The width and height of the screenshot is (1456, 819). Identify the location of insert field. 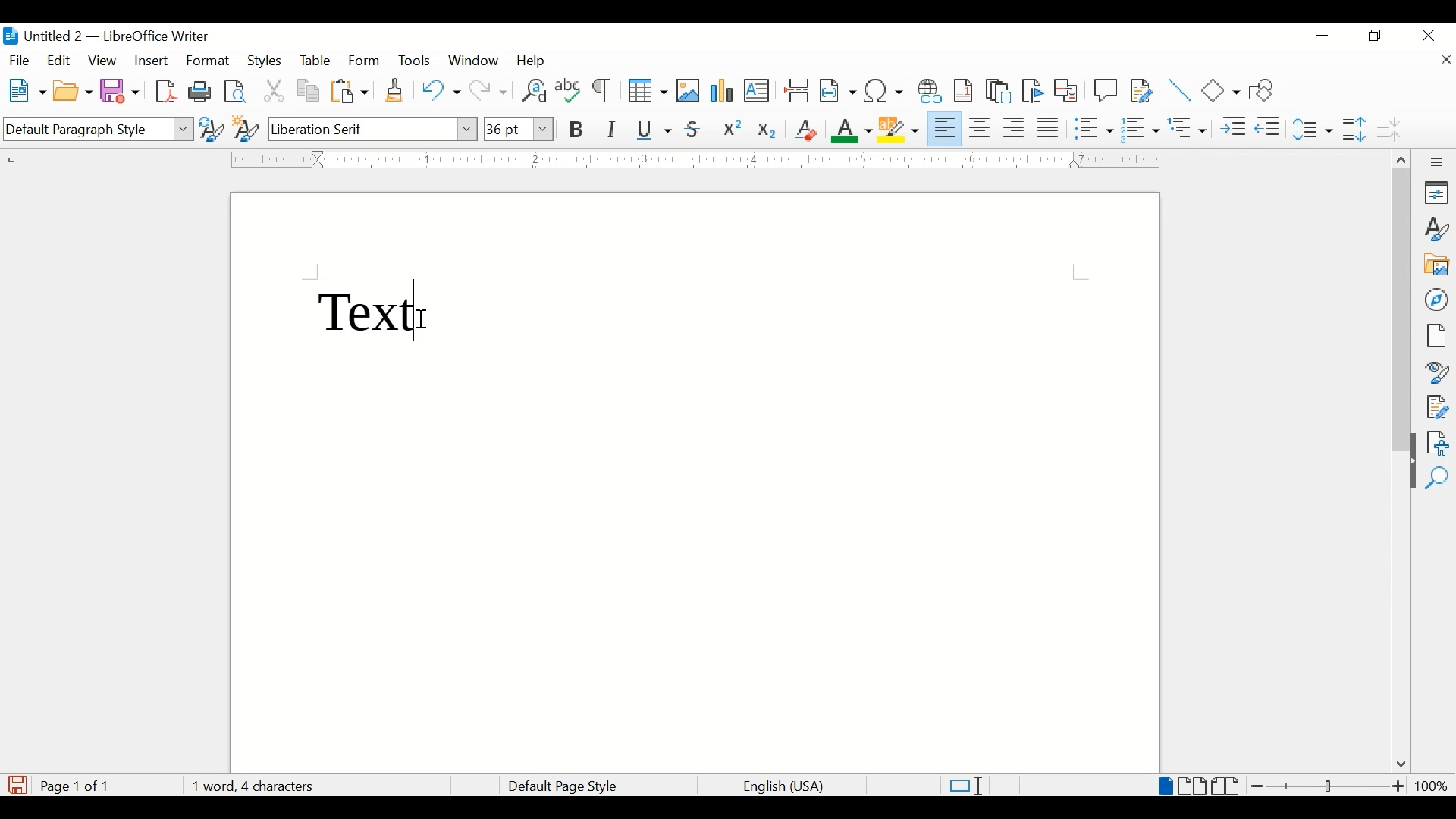
(838, 90).